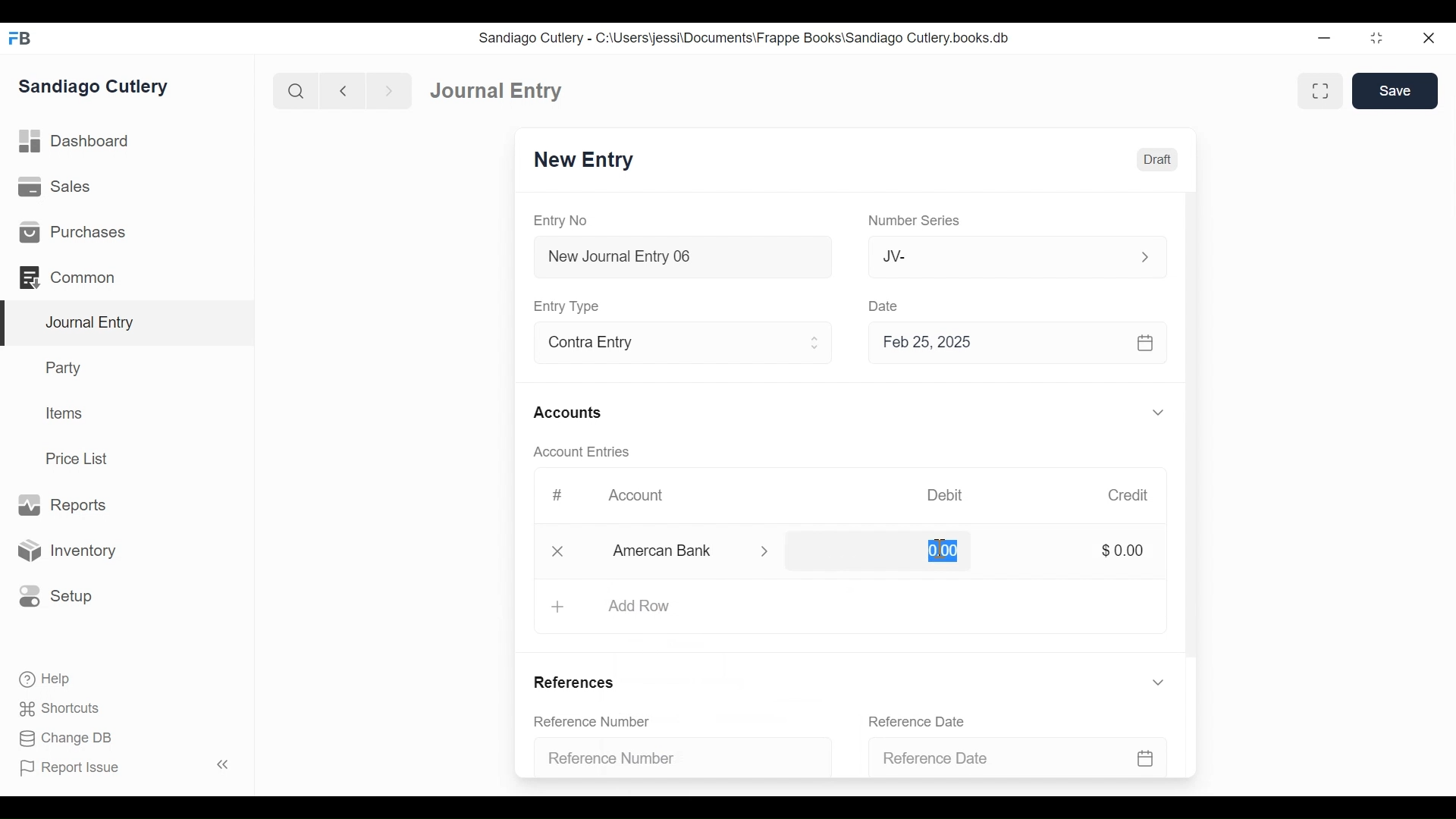 The width and height of the screenshot is (1456, 819). Describe the element at coordinates (1320, 91) in the screenshot. I see `Toggle between form and full width` at that location.